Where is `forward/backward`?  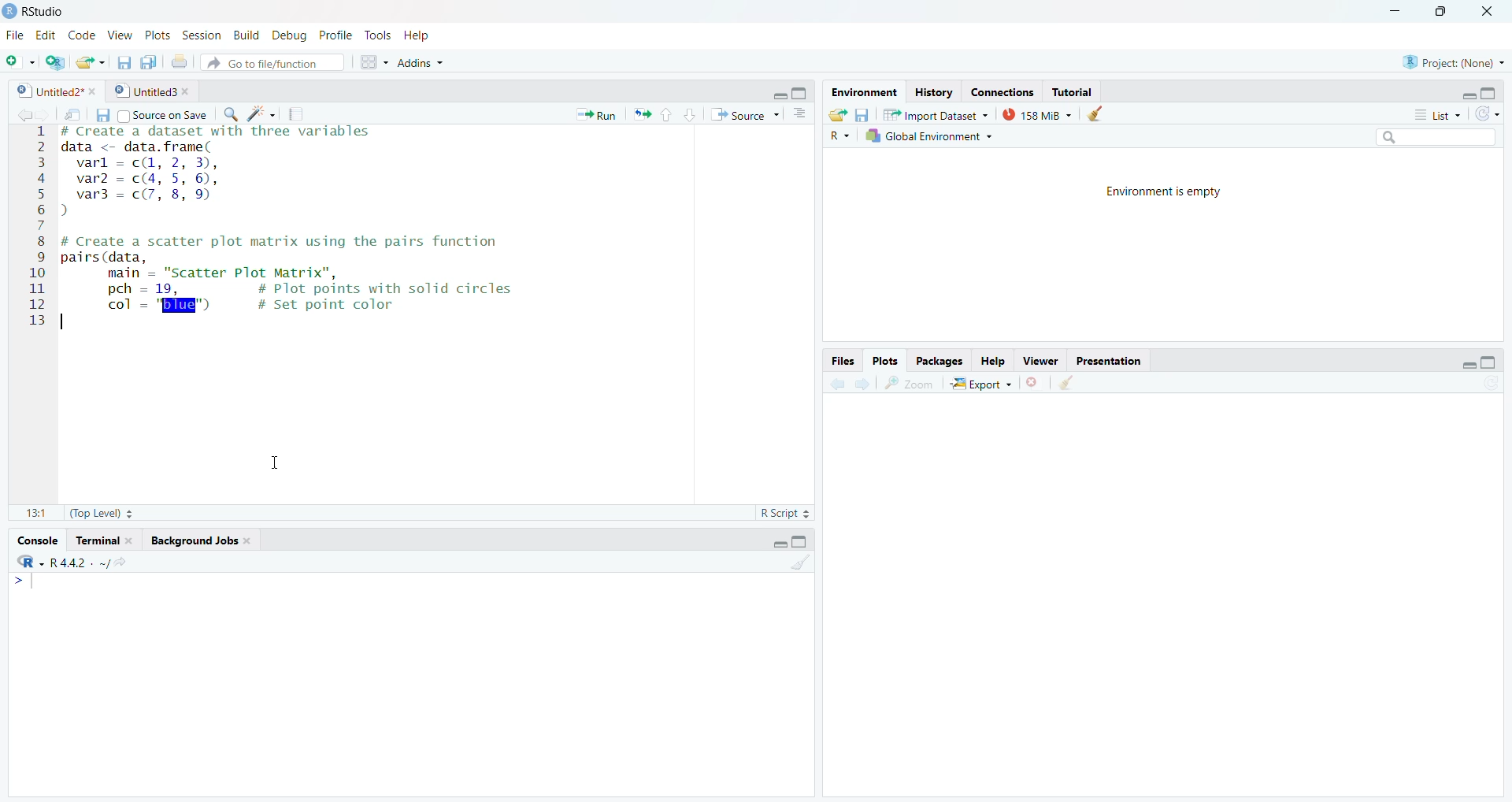
forward/backward is located at coordinates (24, 113).